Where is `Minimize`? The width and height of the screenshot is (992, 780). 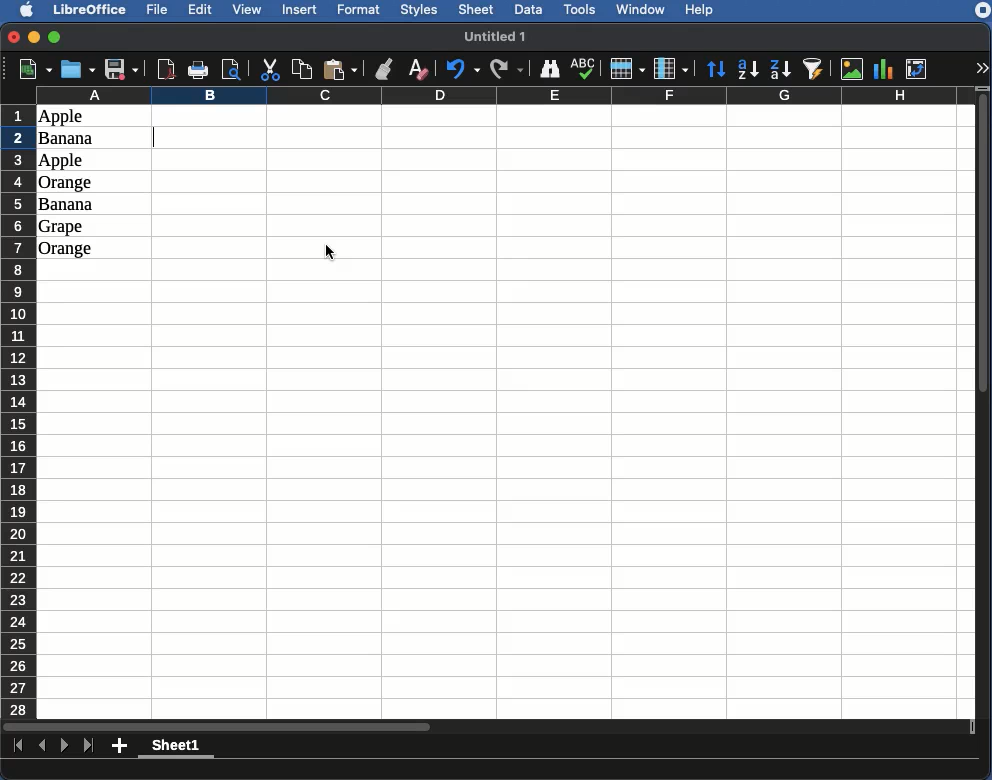
Minimize is located at coordinates (35, 37).